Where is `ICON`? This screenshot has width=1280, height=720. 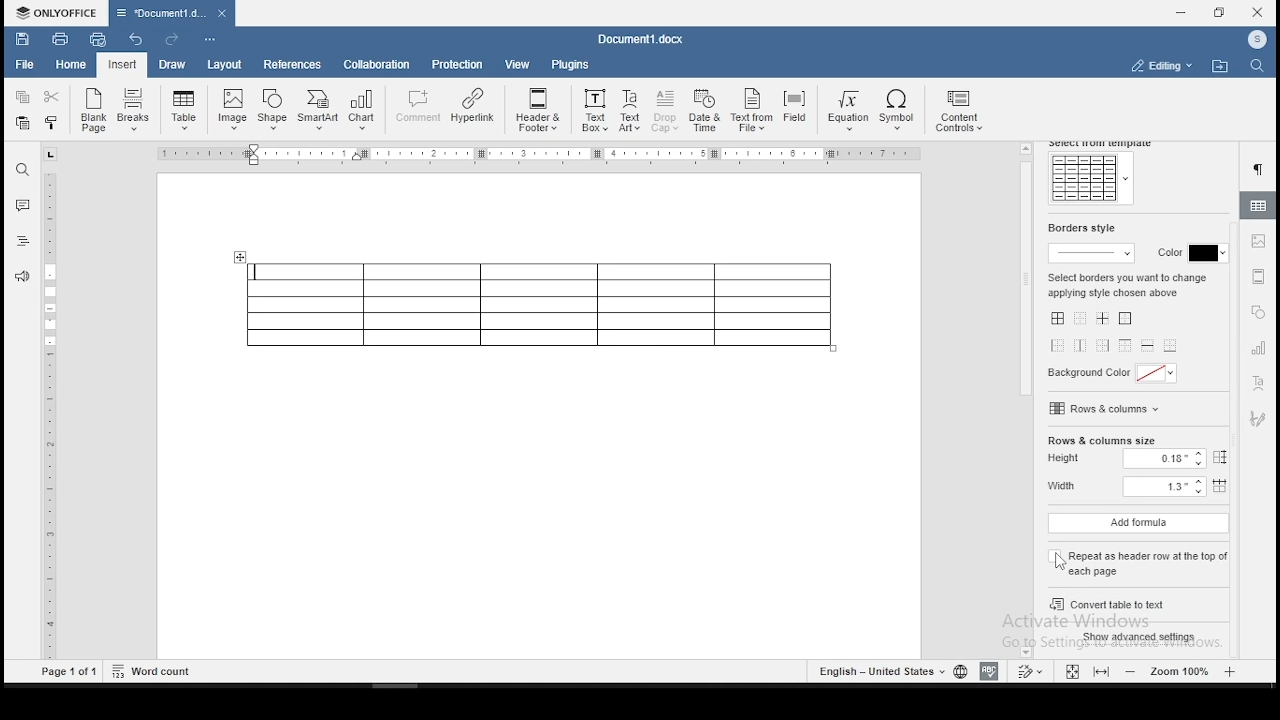 ICON is located at coordinates (1256, 41).